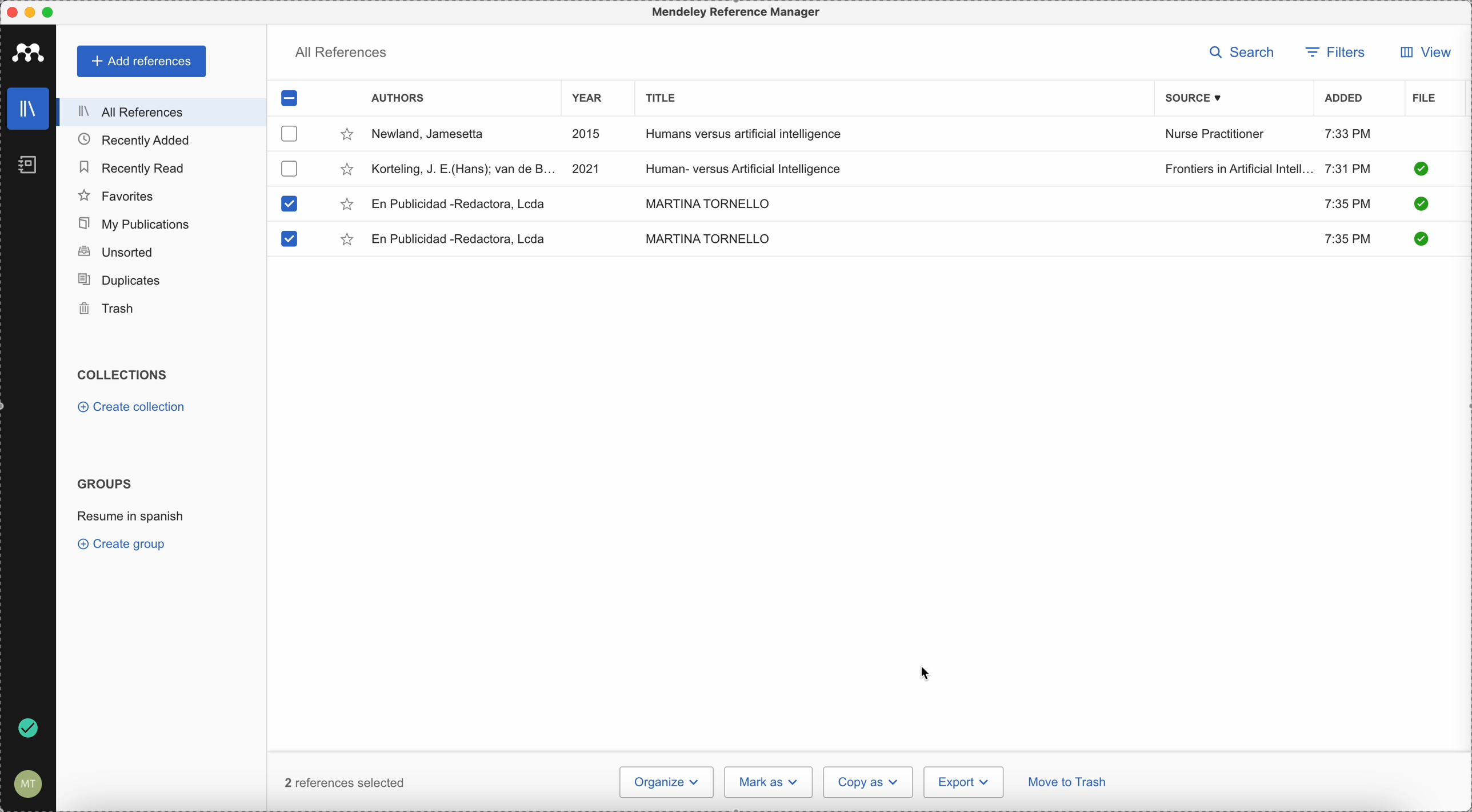 The image size is (1472, 812). Describe the element at coordinates (754, 167) in the screenshot. I see `Human-versus Artificial Intelligence` at that location.